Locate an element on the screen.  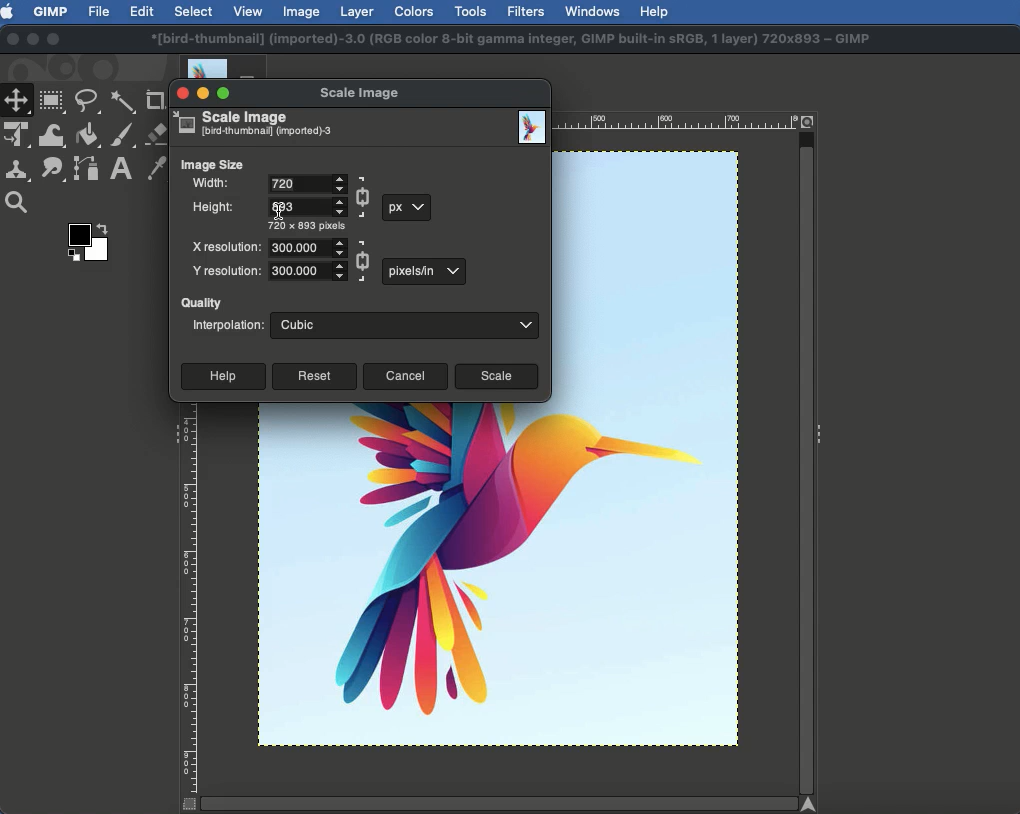
Close is located at coordinates (183, 93).